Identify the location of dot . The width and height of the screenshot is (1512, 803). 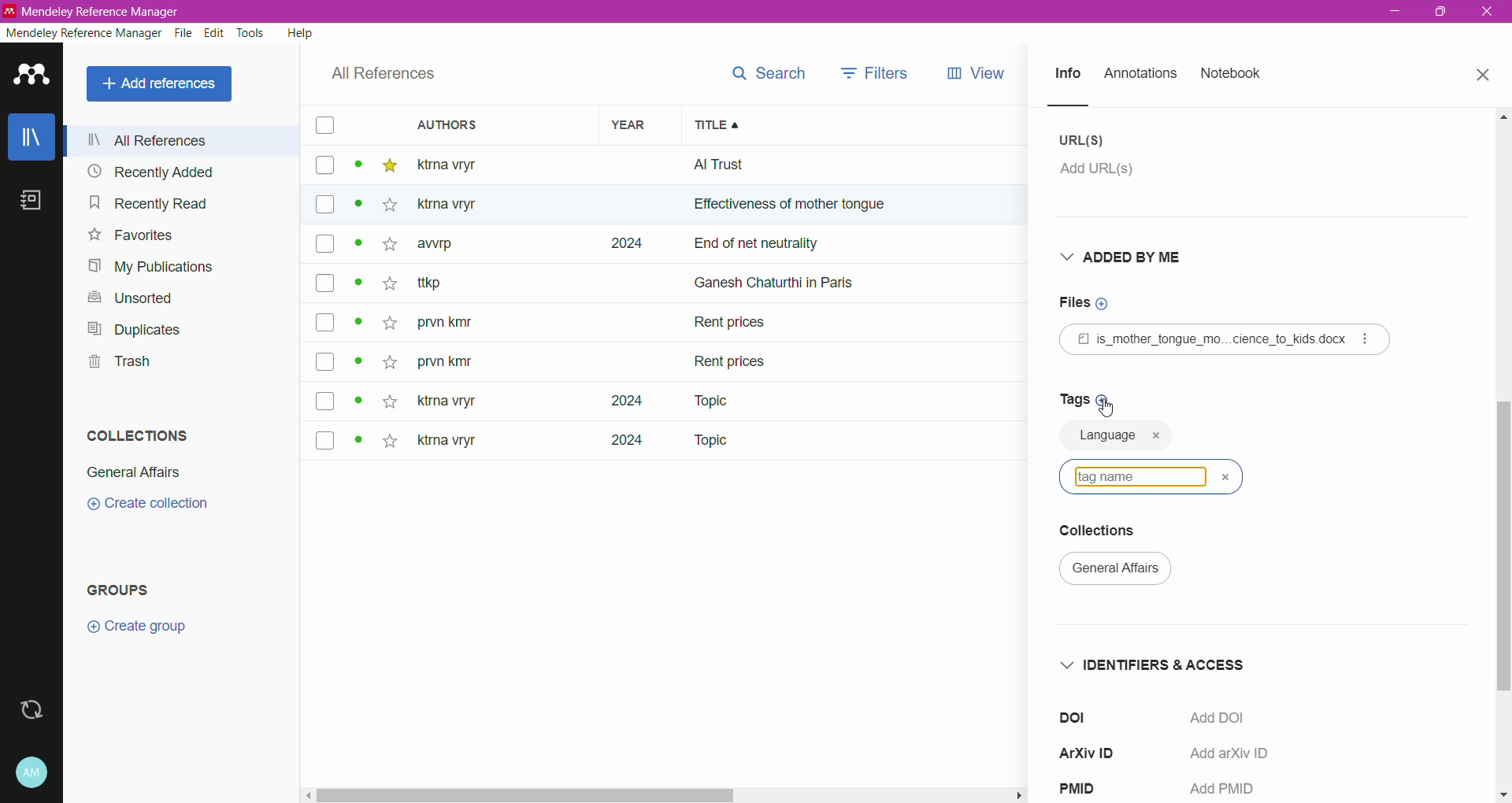
(354, 209).